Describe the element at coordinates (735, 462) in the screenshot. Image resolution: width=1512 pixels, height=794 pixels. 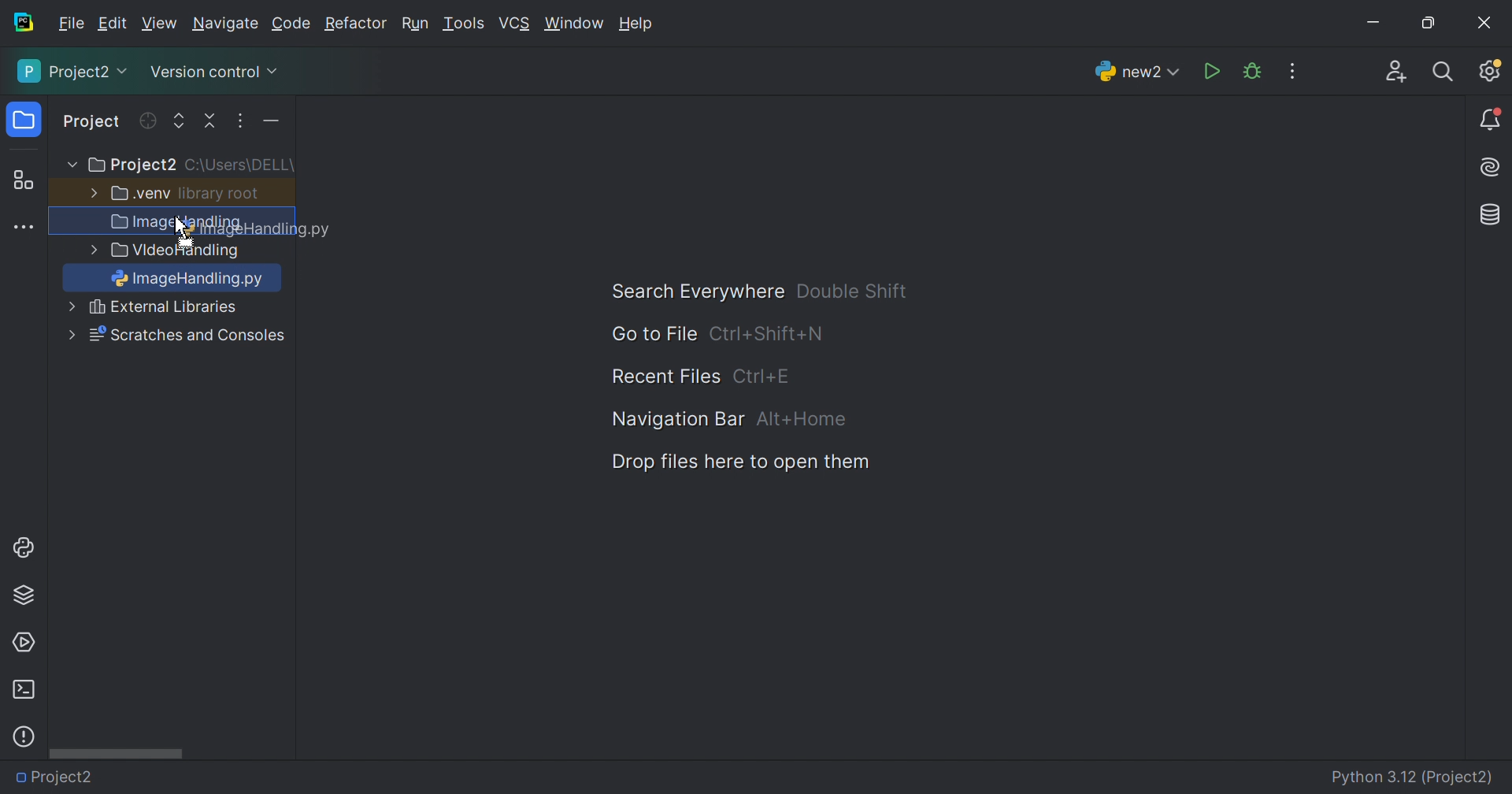
I see `Dop files here to open them` at that location.